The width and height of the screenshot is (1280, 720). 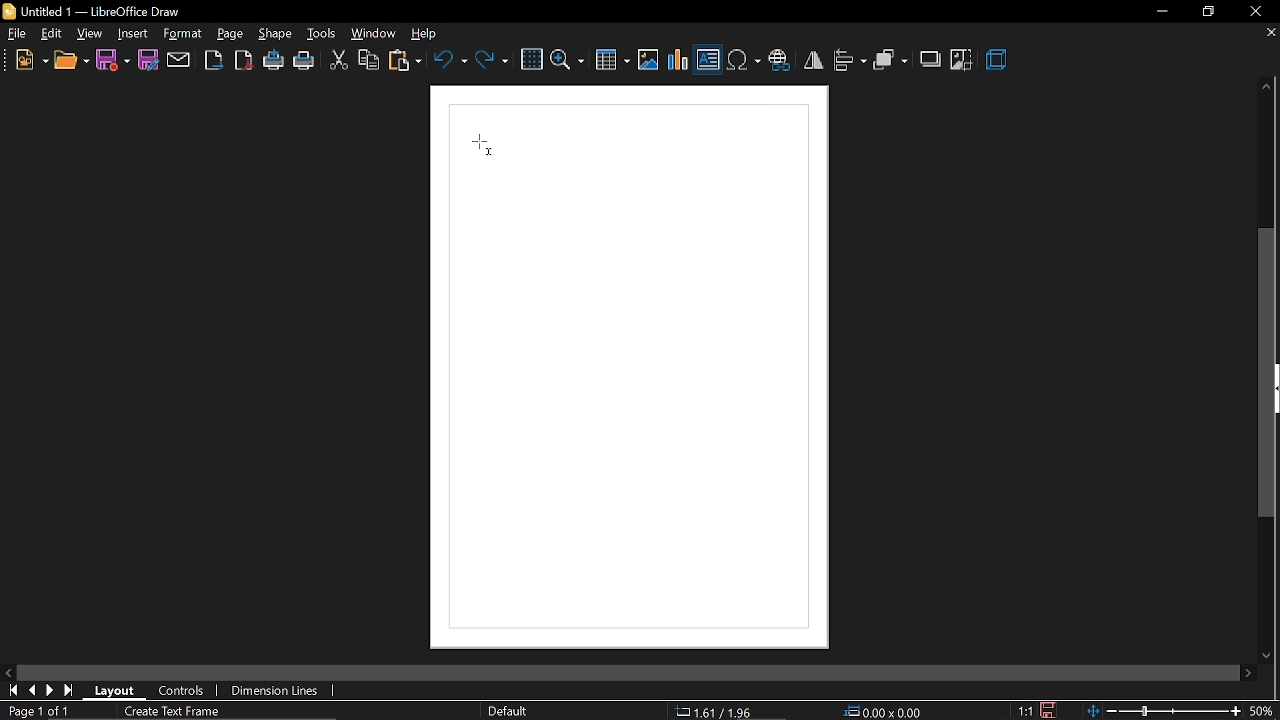 What do you see at coordinates (850, 60) in the screenshot?
I see `align` at bounding box center [850, 60].